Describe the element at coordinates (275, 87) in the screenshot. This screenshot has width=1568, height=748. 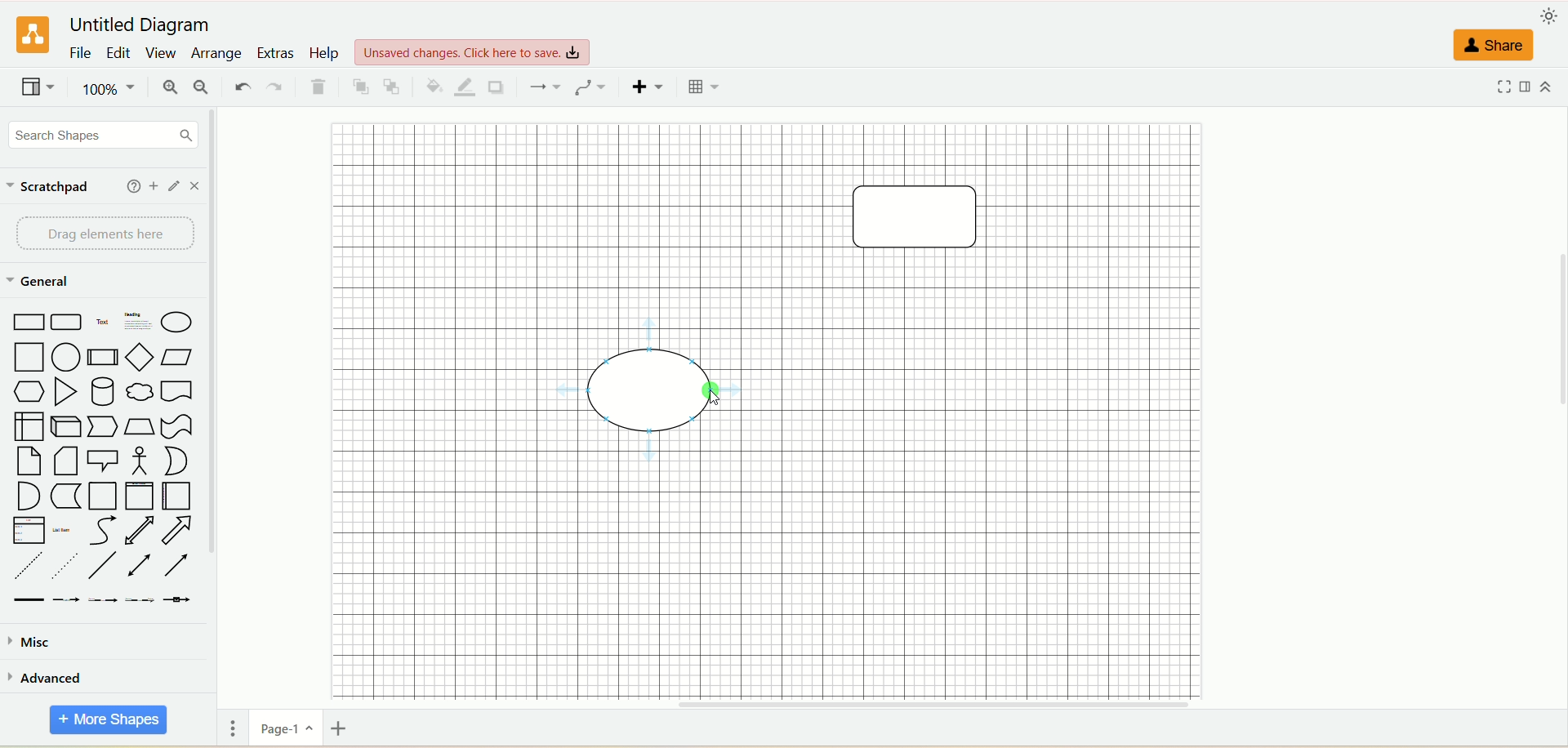
I see `redo` at that location.